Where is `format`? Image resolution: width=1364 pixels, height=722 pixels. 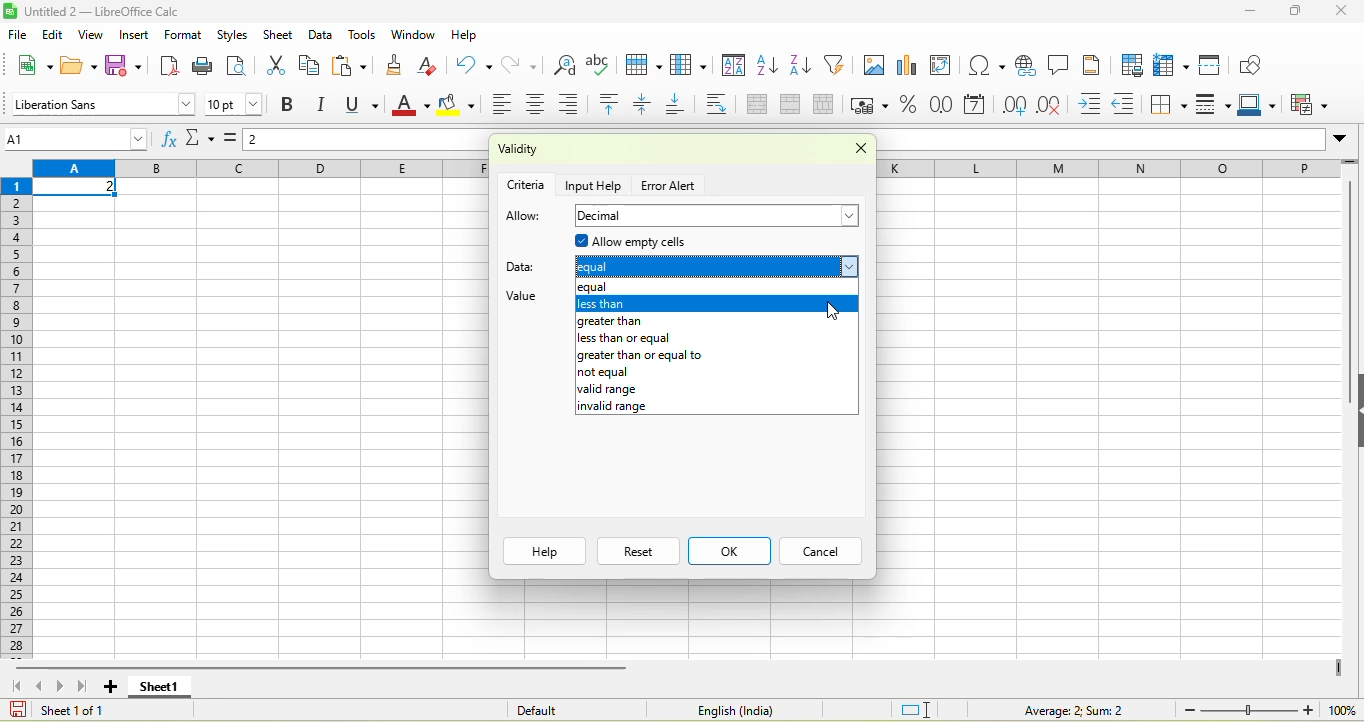 format is located at coordinates (186, 34).